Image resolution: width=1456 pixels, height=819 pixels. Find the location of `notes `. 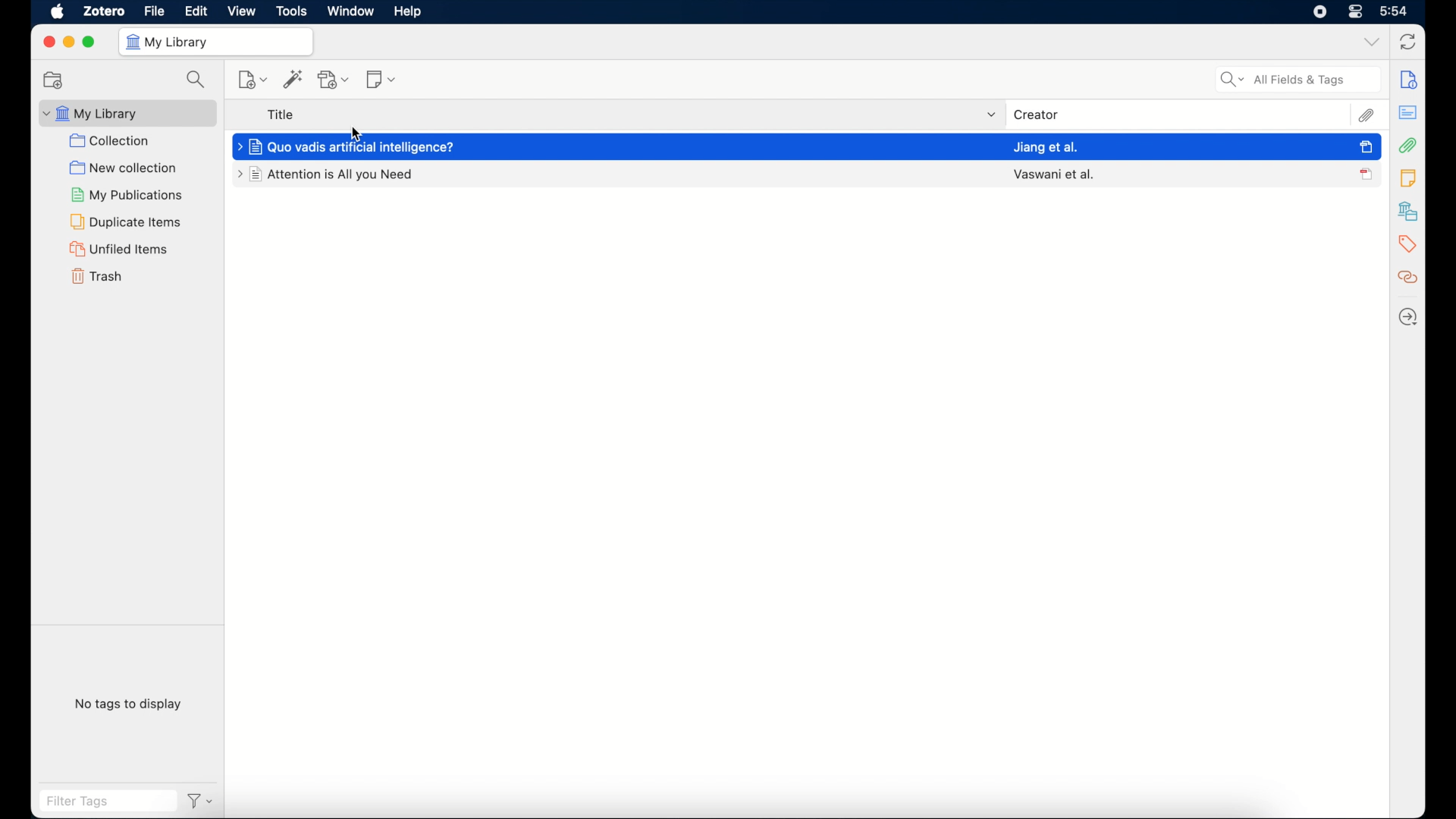

notes  is located at coordinates (1407, 177).